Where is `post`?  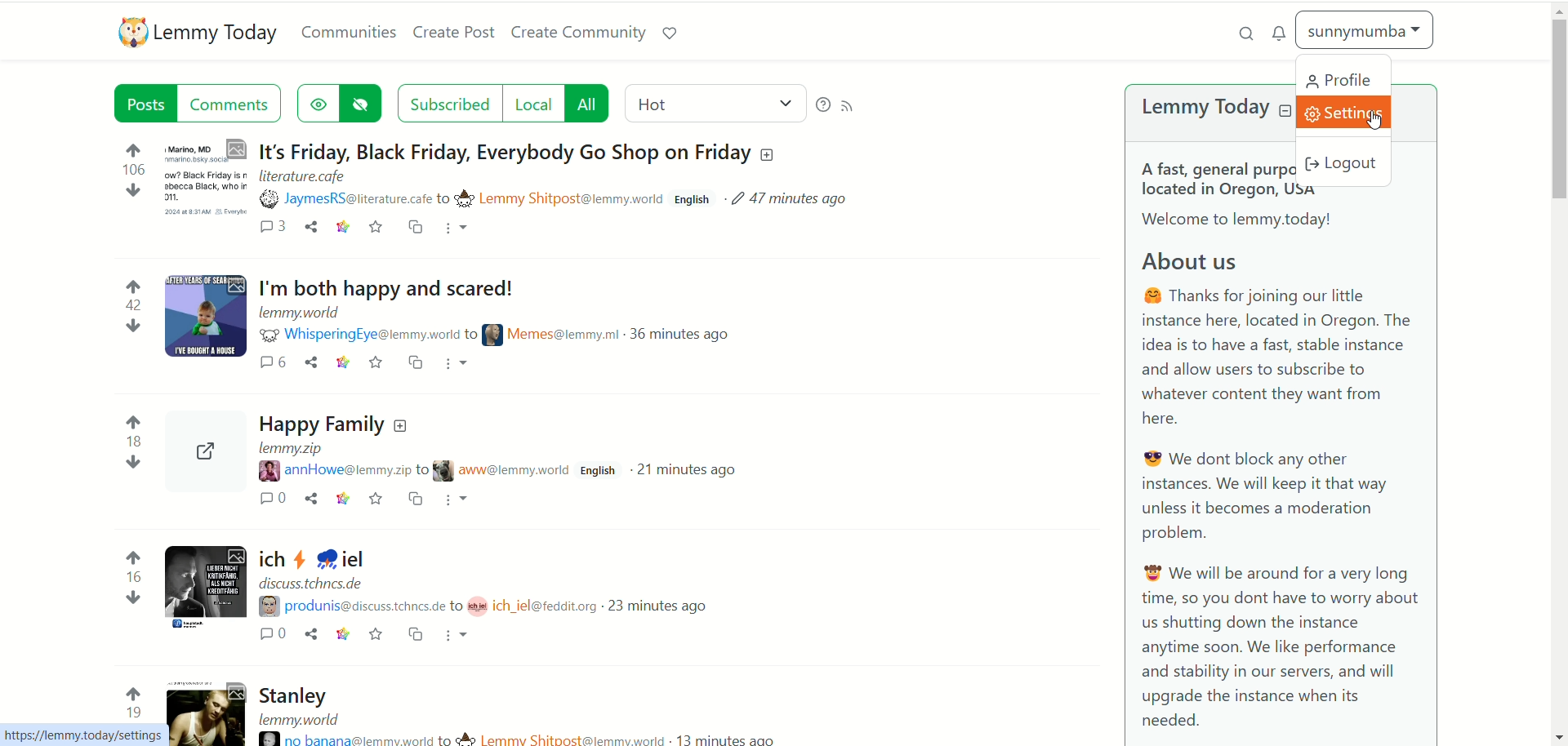
post is located at coordinates (527, 176).